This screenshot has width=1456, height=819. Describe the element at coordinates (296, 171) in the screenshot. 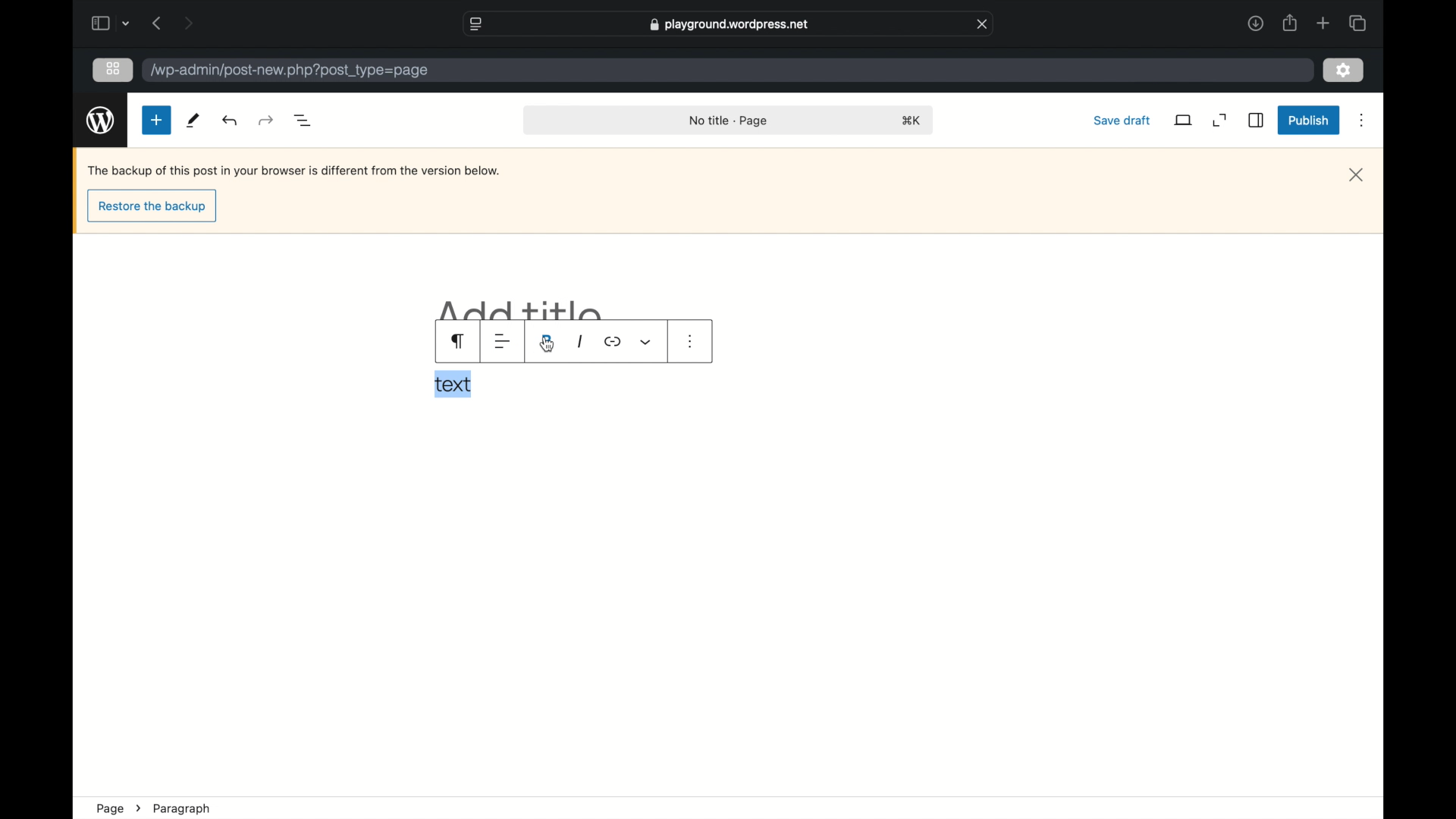

I see `Backup notification` at that location.